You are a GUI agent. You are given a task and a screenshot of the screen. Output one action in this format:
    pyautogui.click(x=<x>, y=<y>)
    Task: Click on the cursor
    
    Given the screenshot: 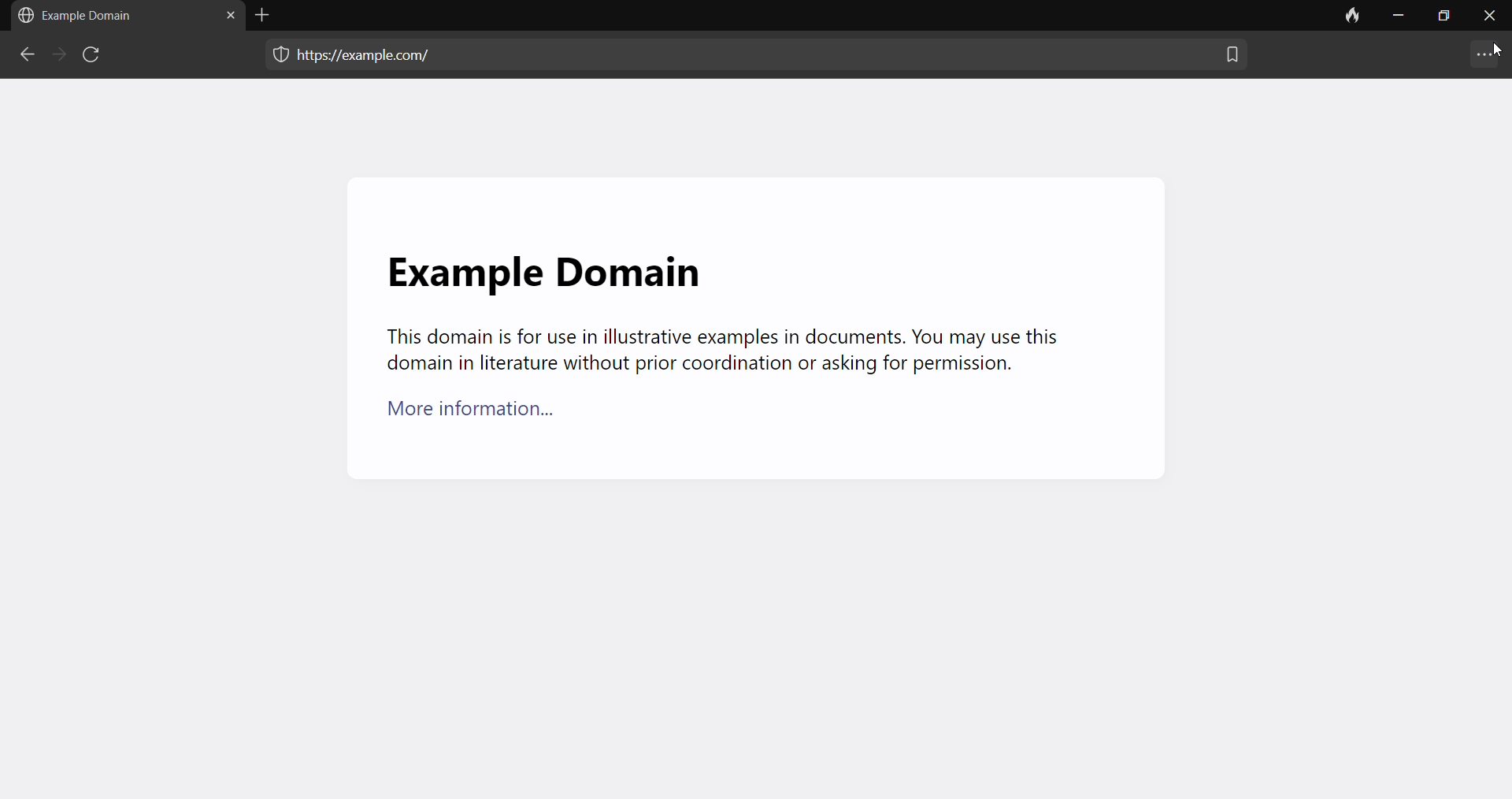 What is the action you would take?
    pyautogui.click(x=1498, y=49)
    